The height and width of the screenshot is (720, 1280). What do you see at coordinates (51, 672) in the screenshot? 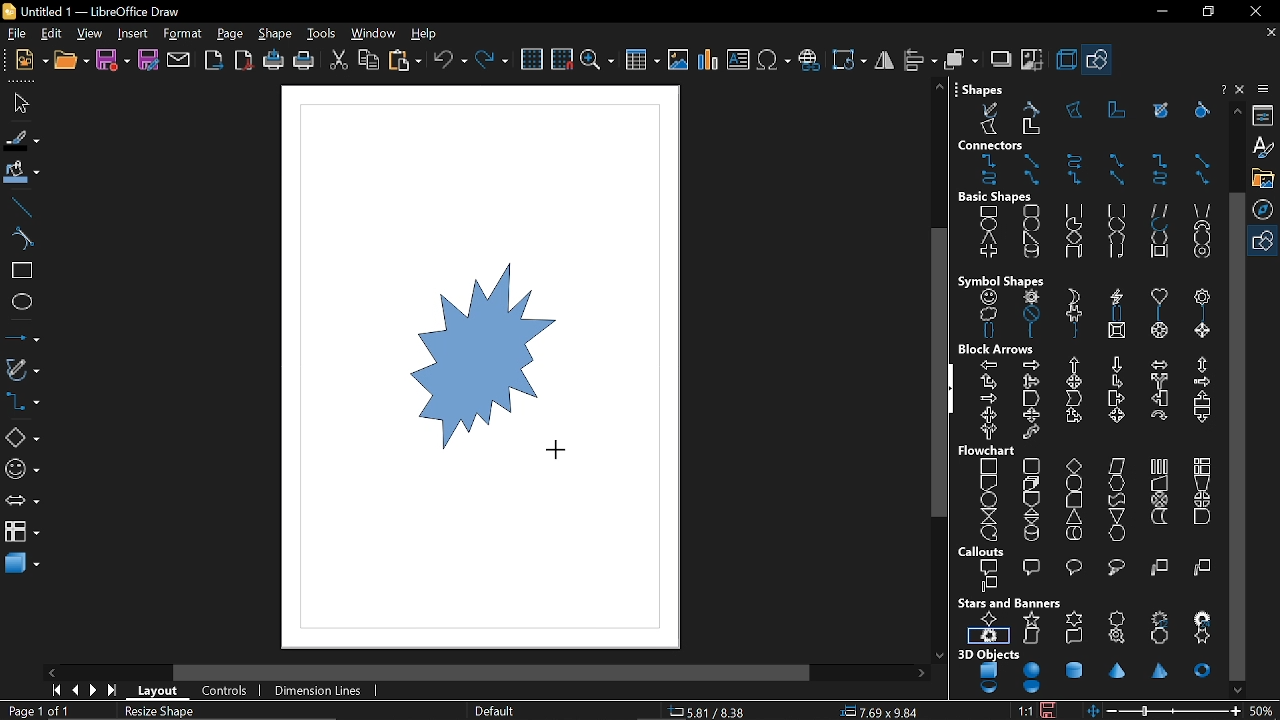
I see `Move left` at bounding box center [51, 672].